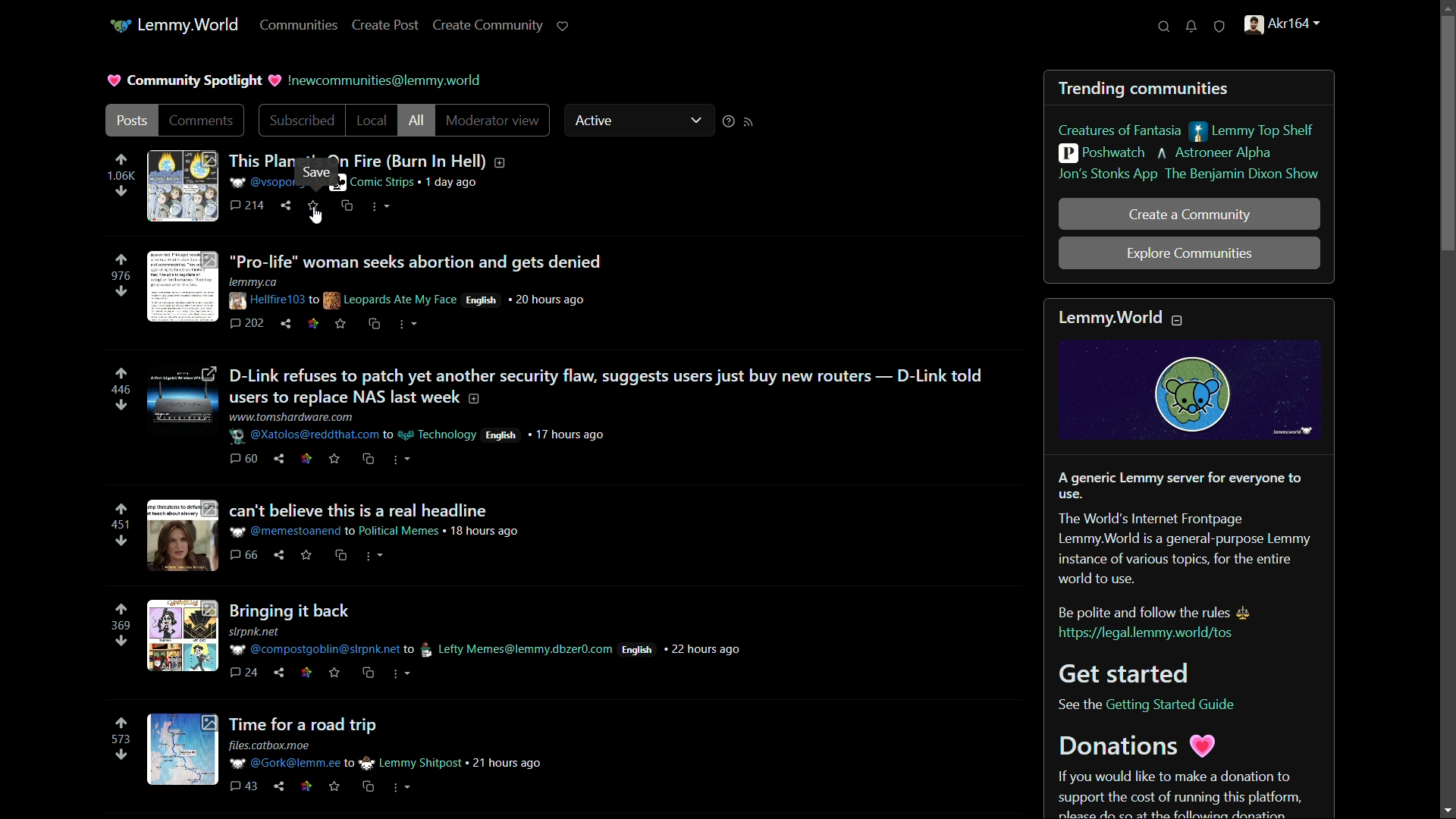 The image size is (1456, 819). Describe the element at coordinates (597, 120) in the screenshot. I see `active` at that location.